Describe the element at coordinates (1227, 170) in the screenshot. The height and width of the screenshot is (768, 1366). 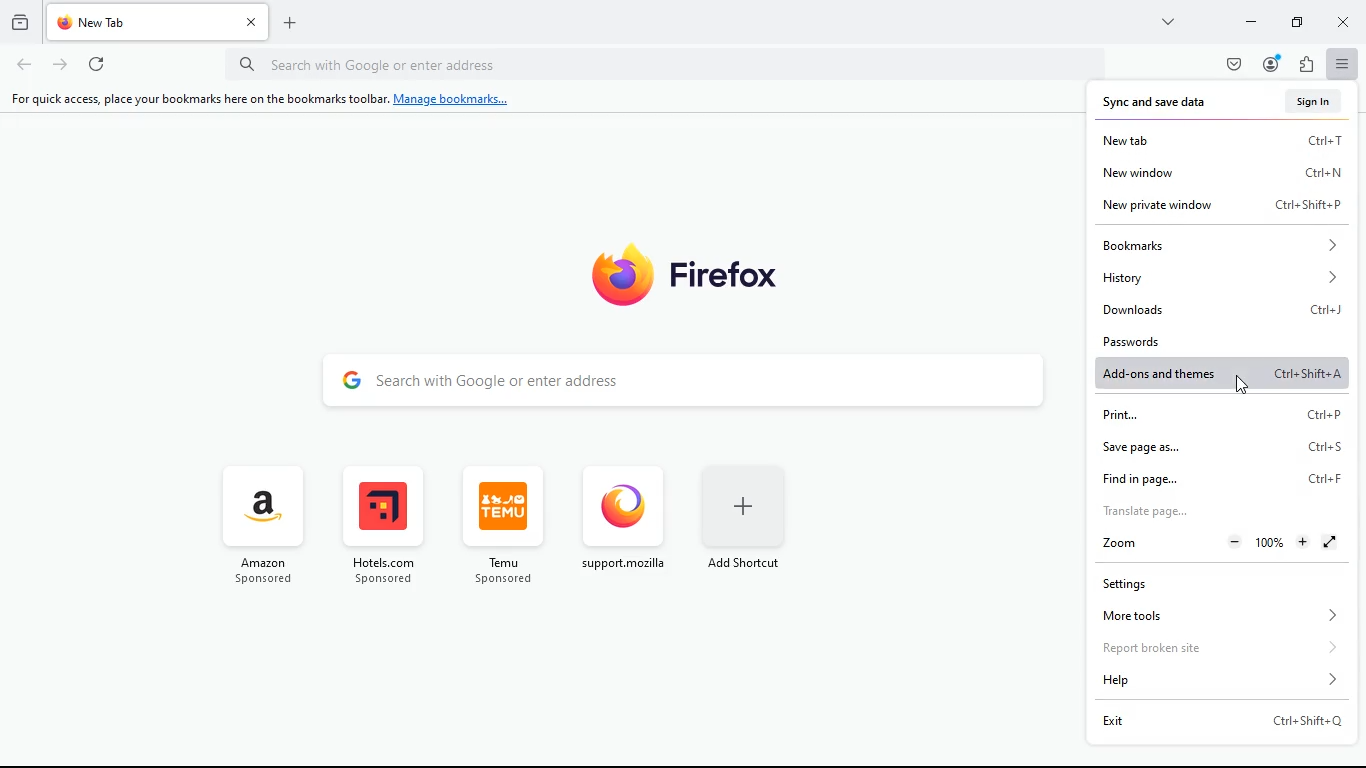
I see `new window  ctrl+n` at that location.